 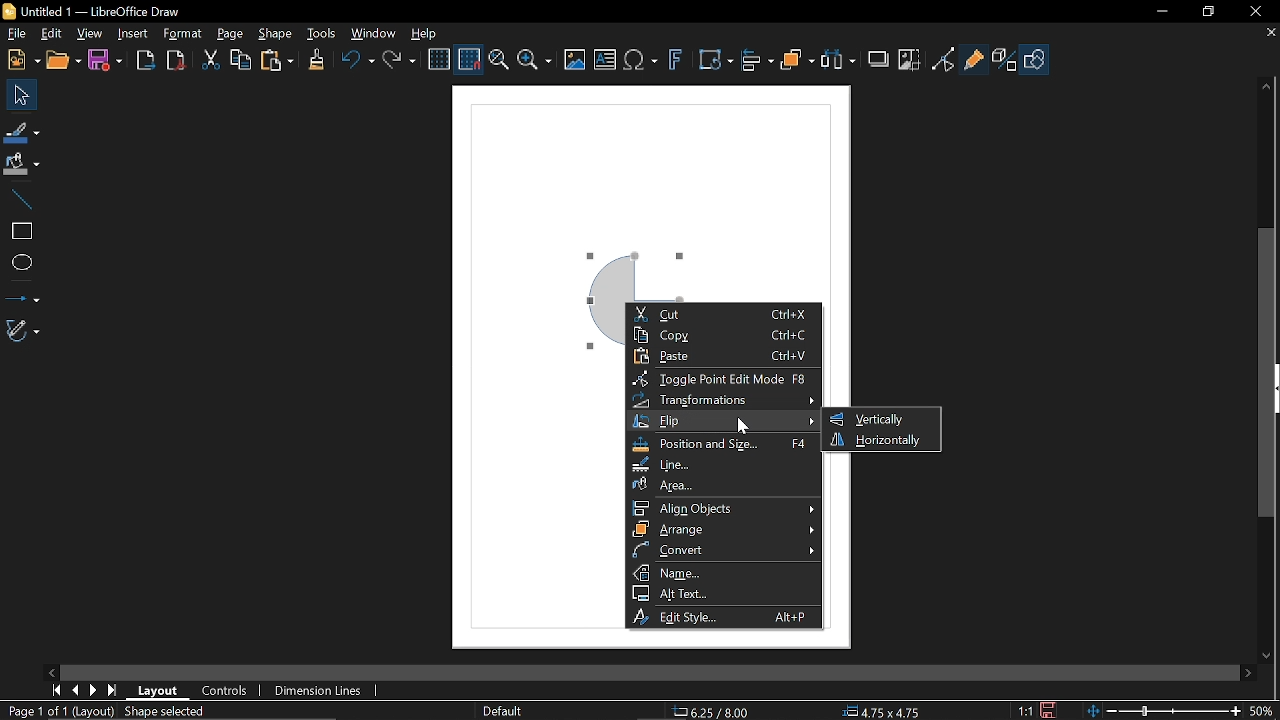 What do you see at coordinates (715, 712) in the screenshot?
I see `6.25/8.00(cursor position)` at bounding box center [715, 712].